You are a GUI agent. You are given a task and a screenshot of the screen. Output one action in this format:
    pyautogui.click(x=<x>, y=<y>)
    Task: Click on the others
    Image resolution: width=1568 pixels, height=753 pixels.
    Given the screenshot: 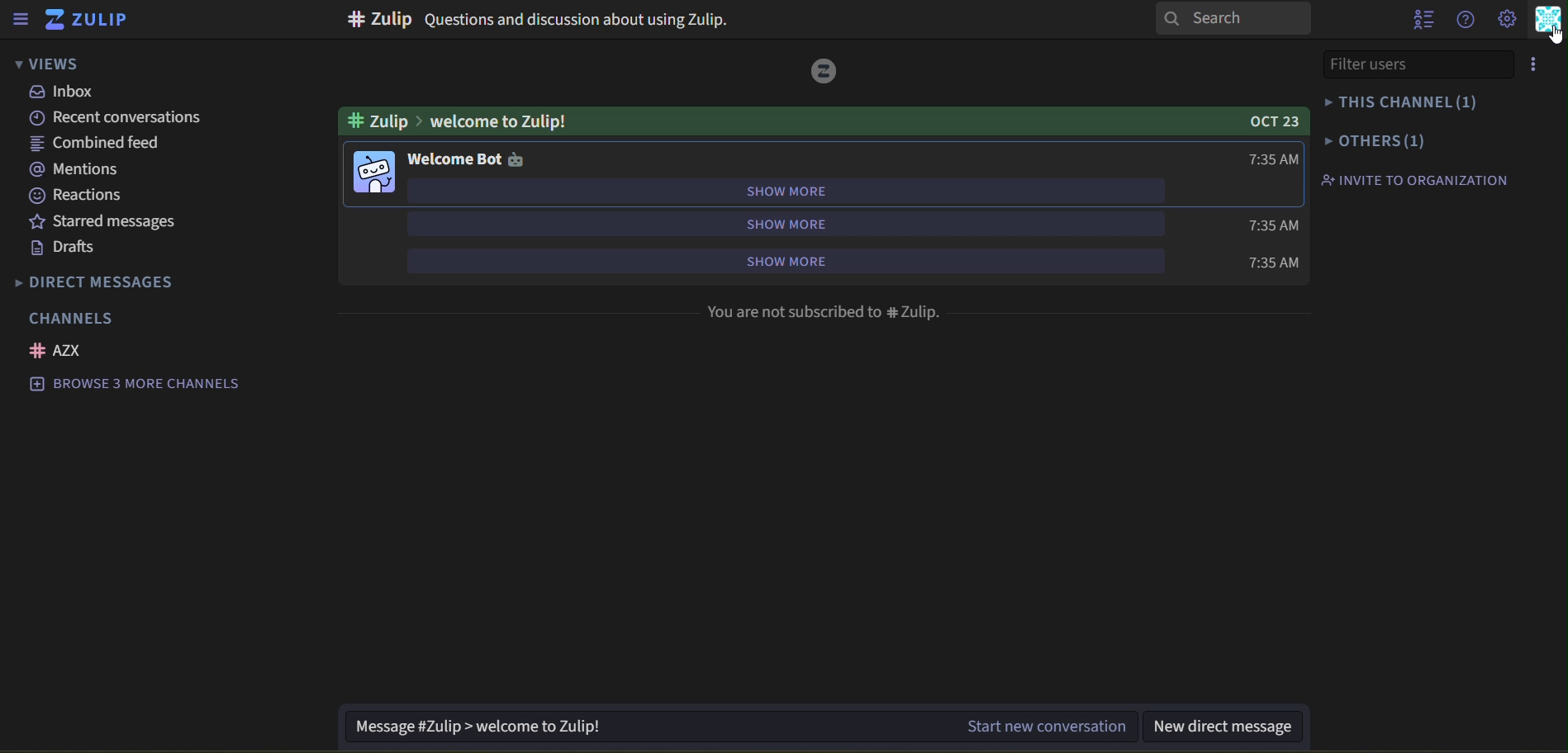 What is the action you would take?
    pyautogui.click(x=1376, y=141)
    